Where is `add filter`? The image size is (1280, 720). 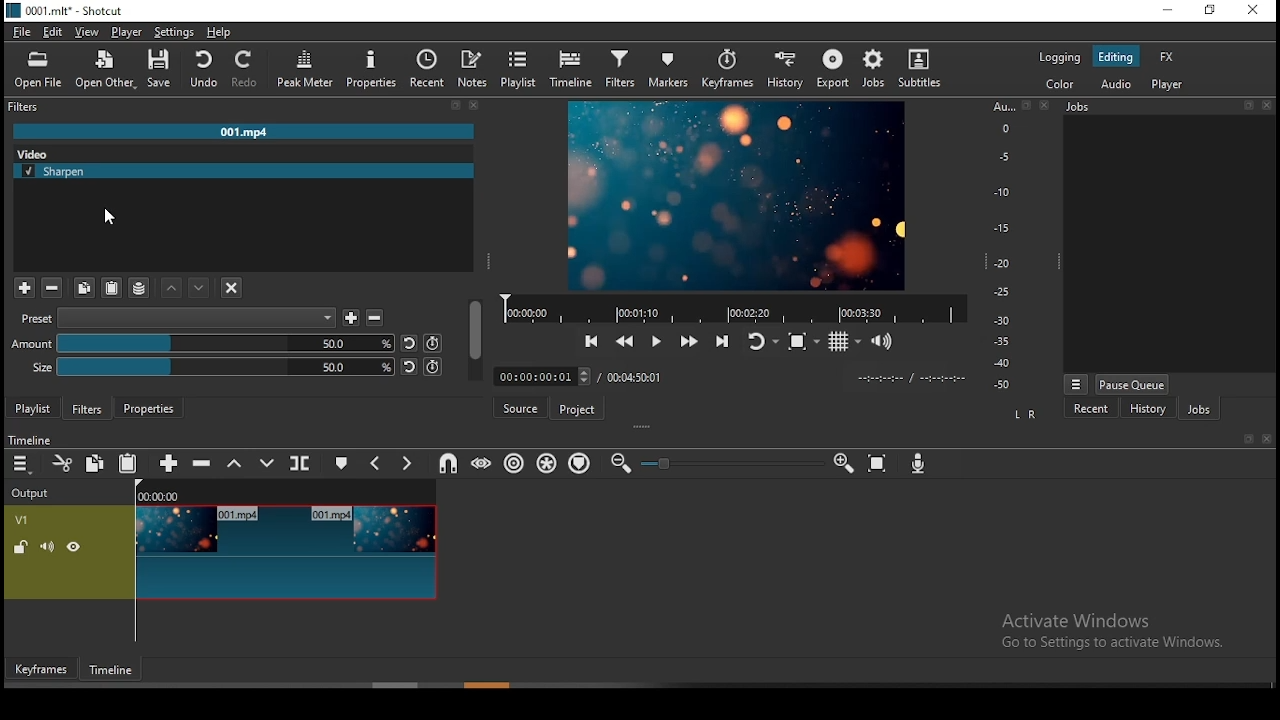 add filter is located at coordinates (23, 288).